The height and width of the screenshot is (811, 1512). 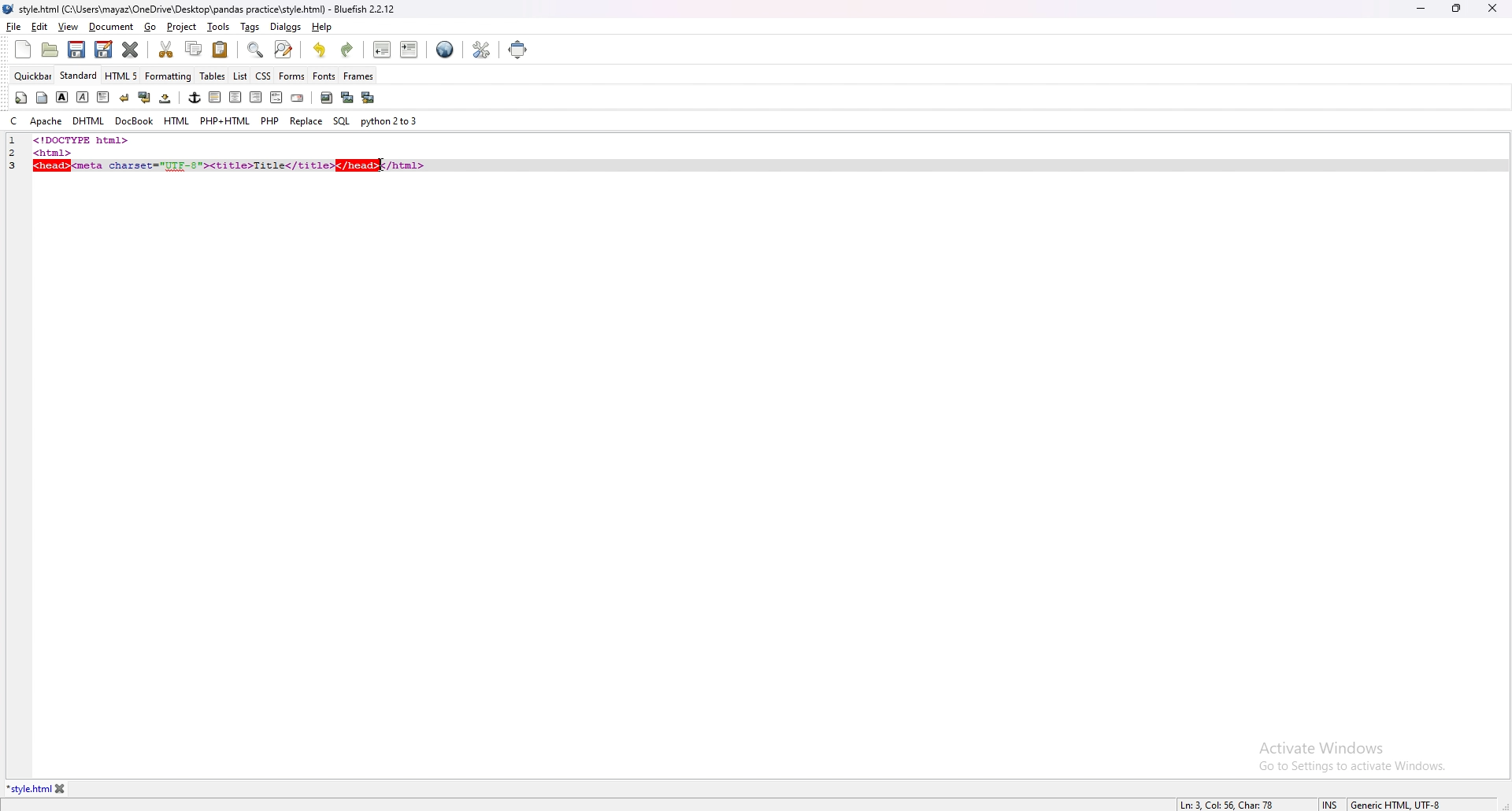 I want to click on find bar, so click(x=256, y=50).